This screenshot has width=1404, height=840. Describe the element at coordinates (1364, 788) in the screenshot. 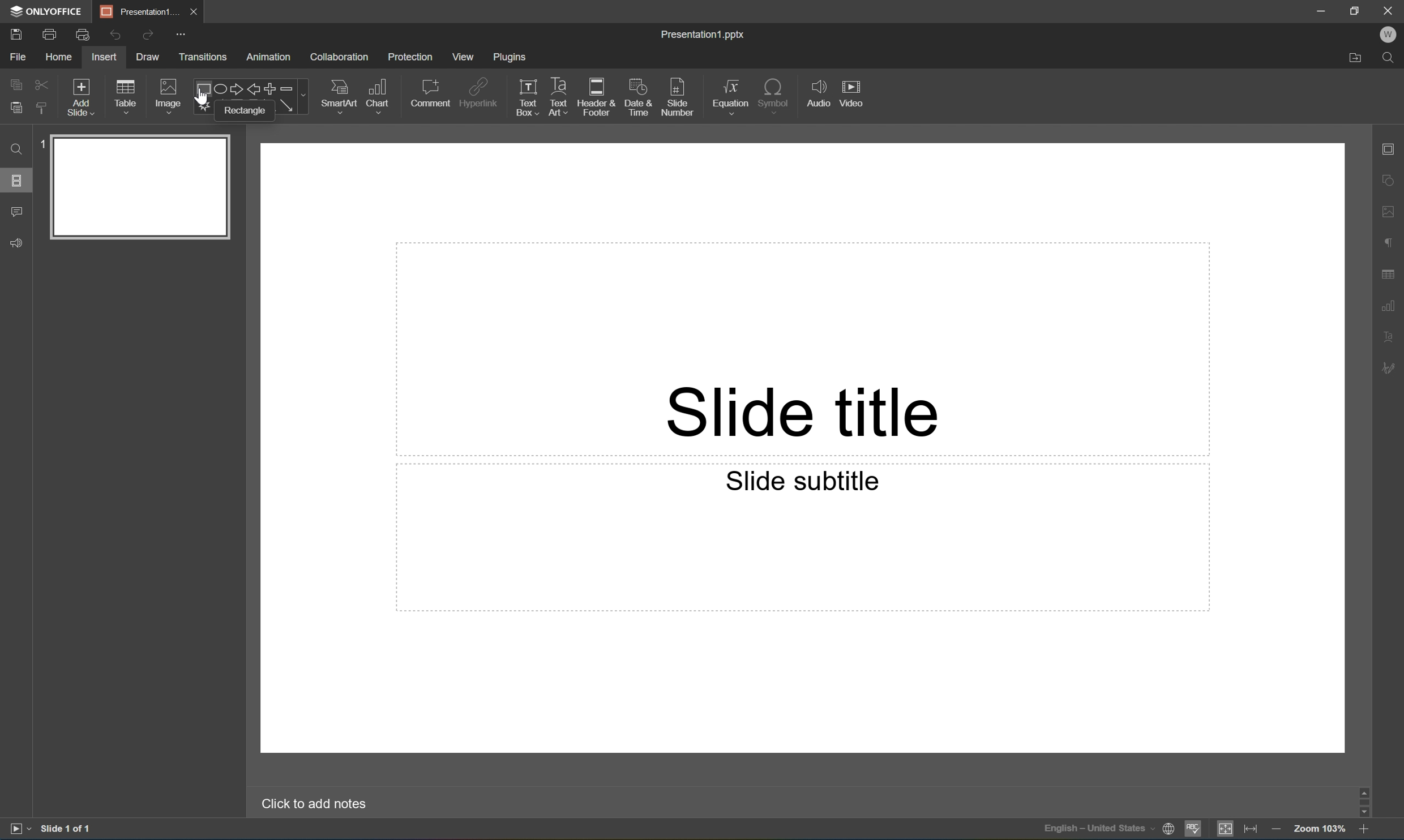

I see `Scroll Up` at that location.